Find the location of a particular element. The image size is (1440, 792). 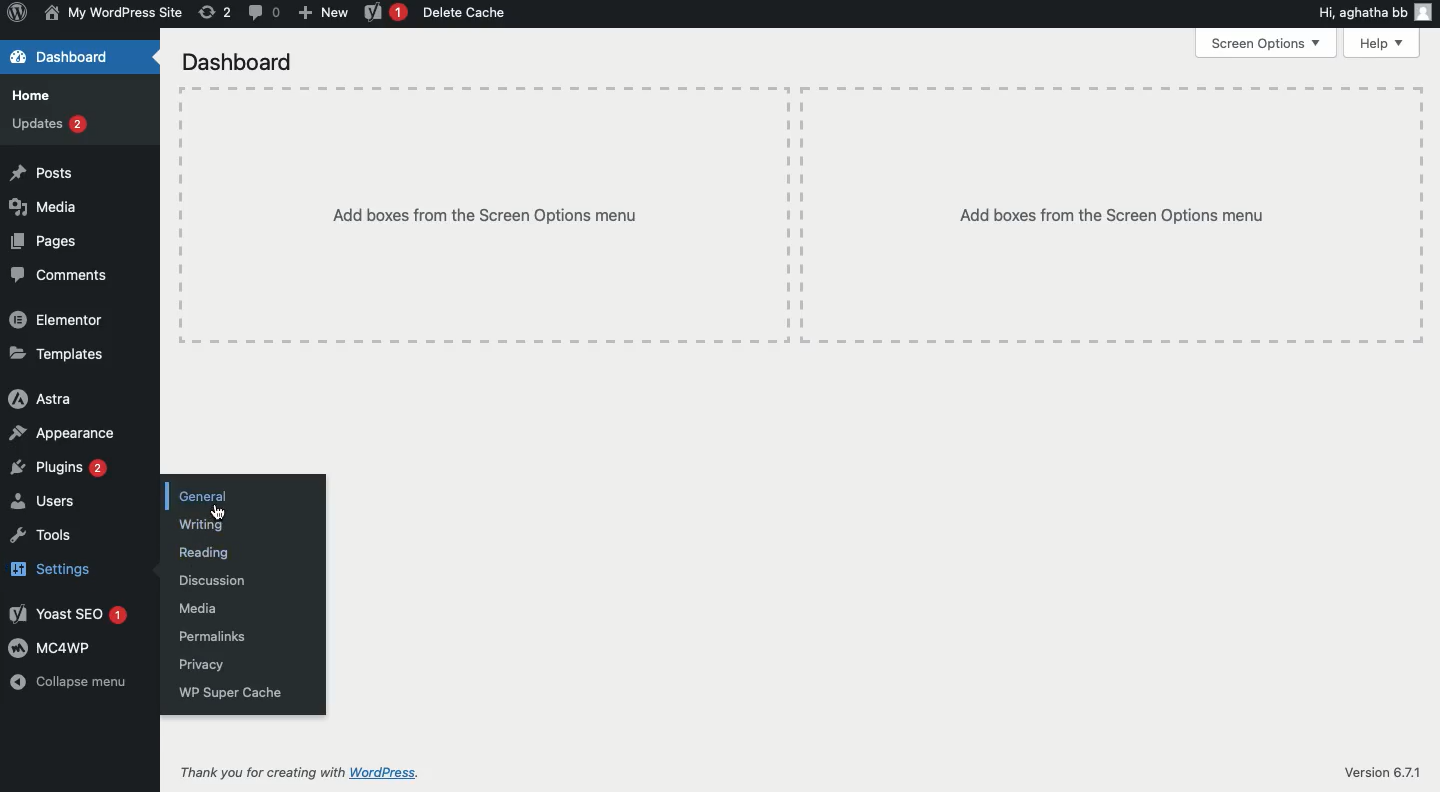

Media is located at coordinates (45, 207).